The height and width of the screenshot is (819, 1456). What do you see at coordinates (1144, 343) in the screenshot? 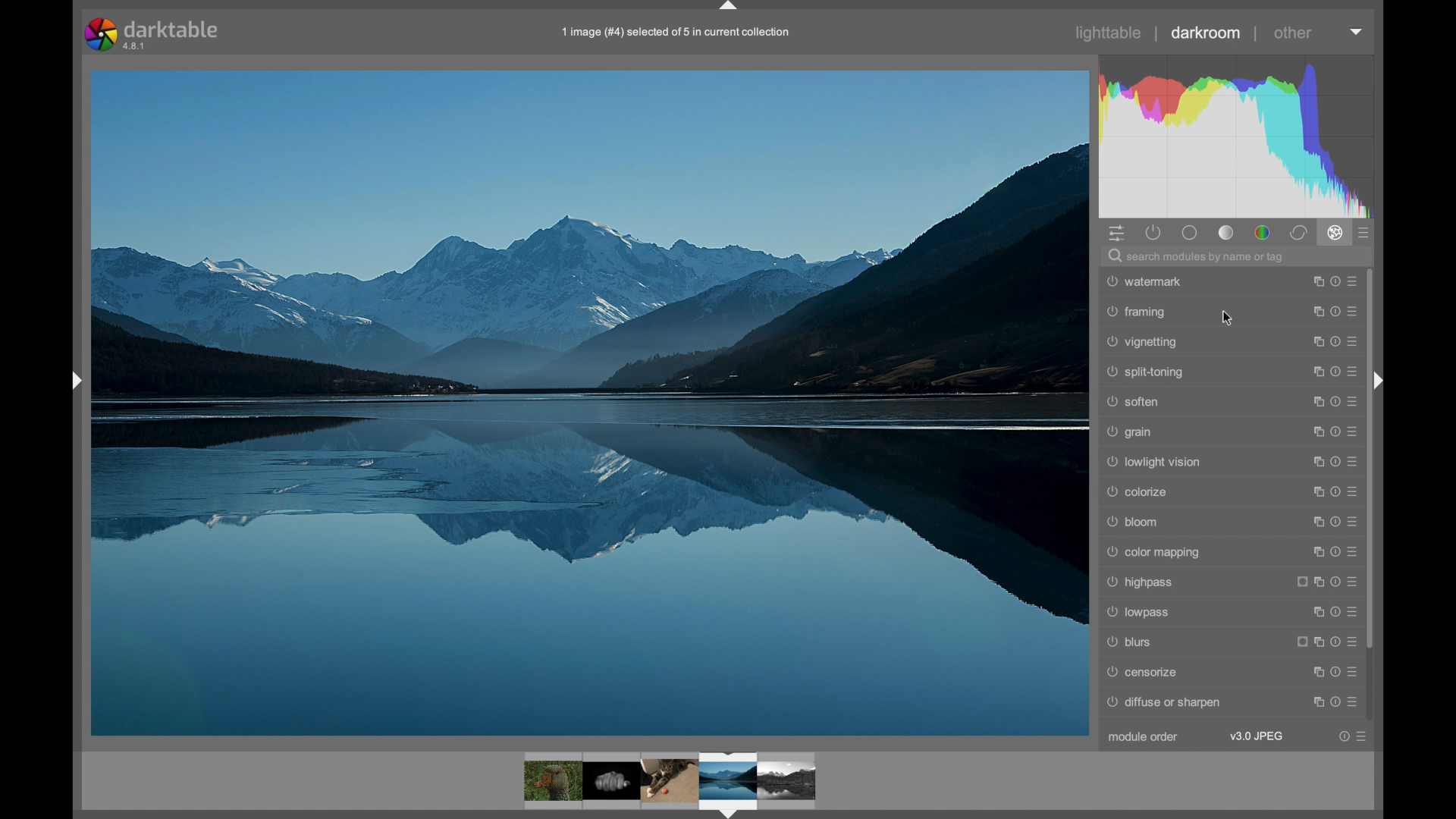
I see `vignetting` at bounding box center [1144, 343].